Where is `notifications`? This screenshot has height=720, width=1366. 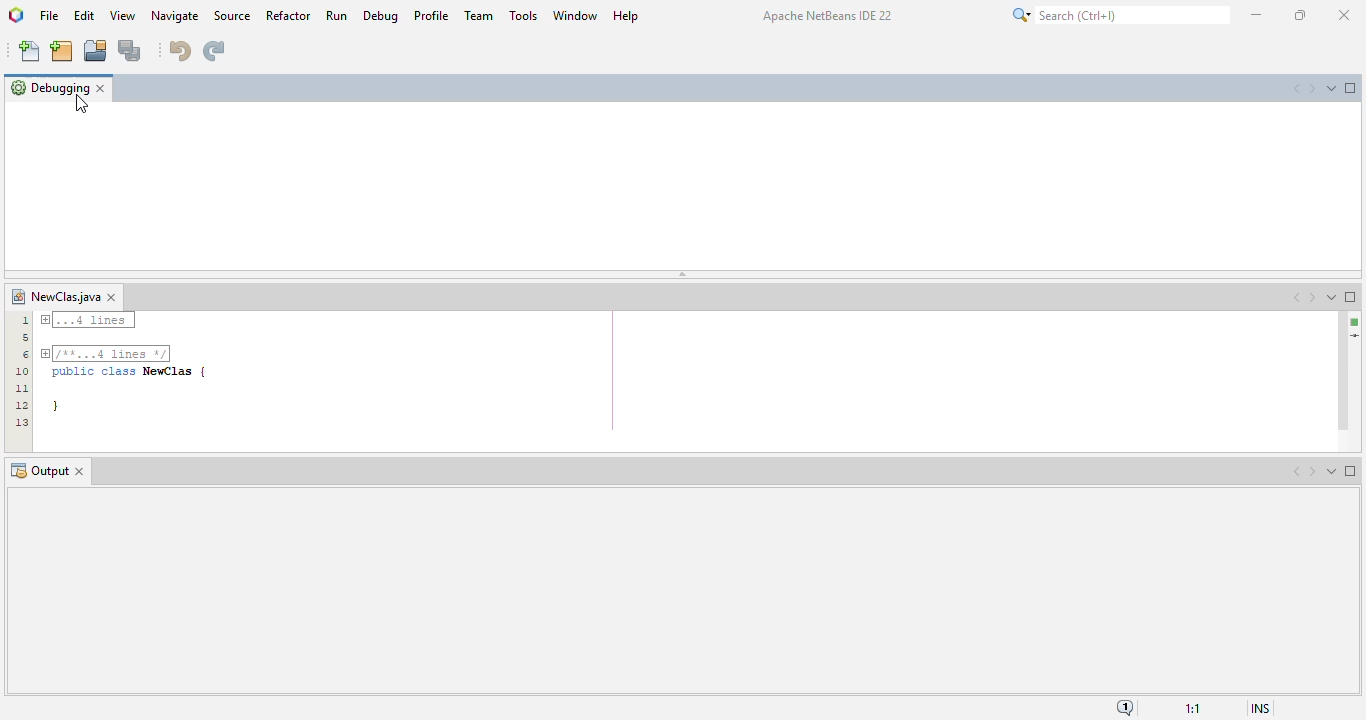 notifications is located at coordinates (1126, 707).